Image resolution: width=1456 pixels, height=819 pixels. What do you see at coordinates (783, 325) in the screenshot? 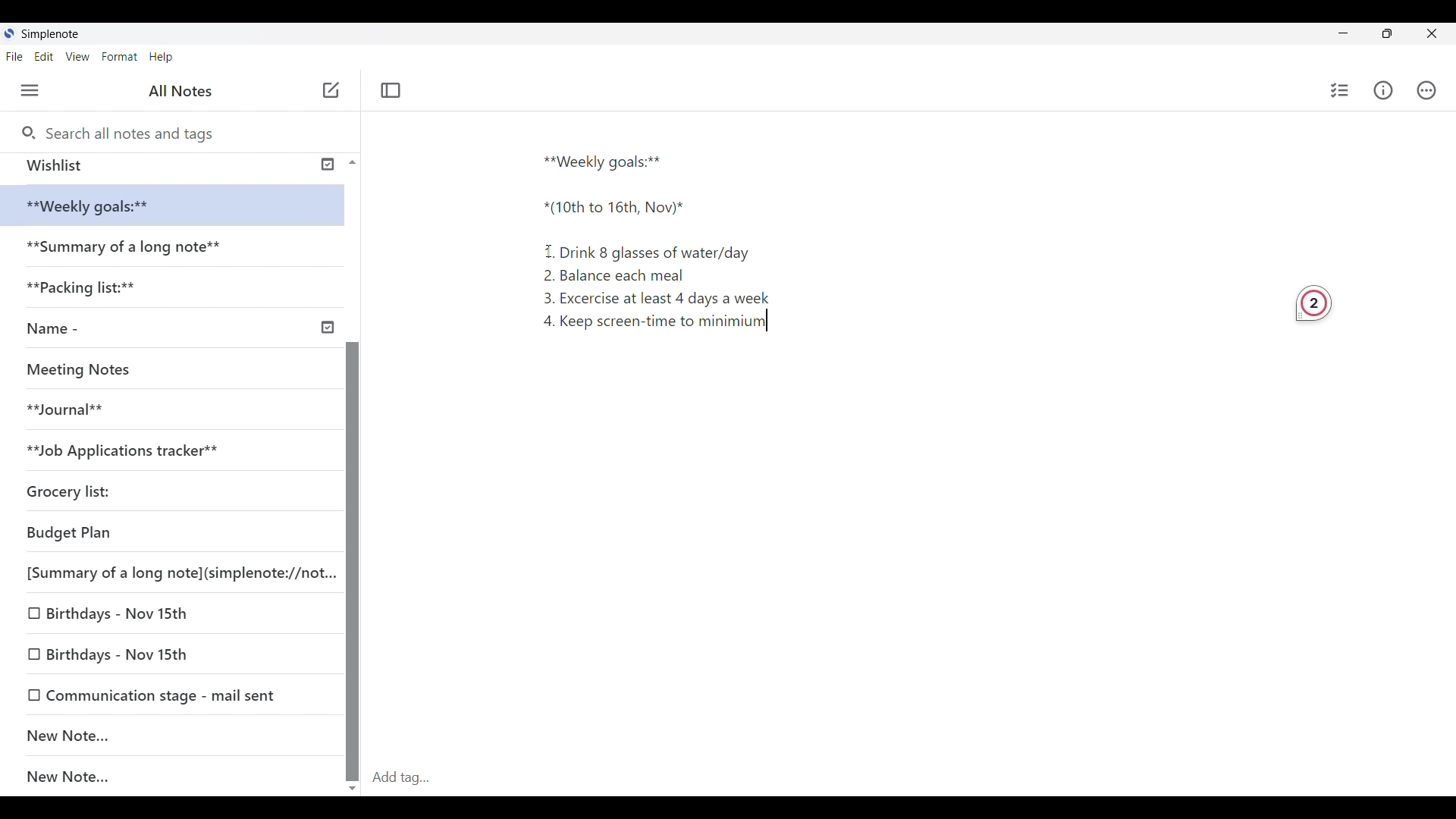
I see `Text cursor` at bounding box center [783, 325].